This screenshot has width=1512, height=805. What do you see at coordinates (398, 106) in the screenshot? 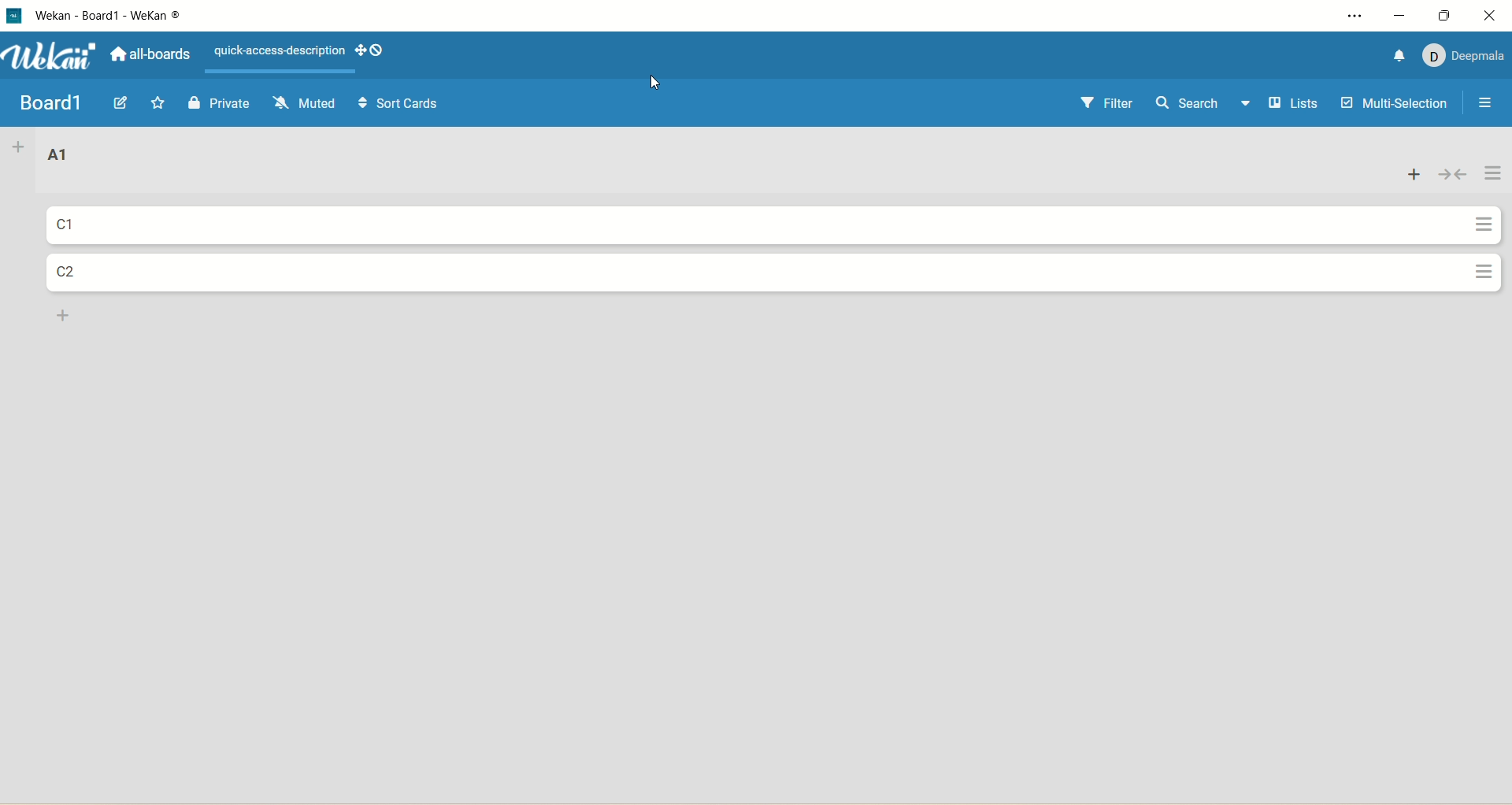
I see `sort cards` at bounding box center [398, 106].